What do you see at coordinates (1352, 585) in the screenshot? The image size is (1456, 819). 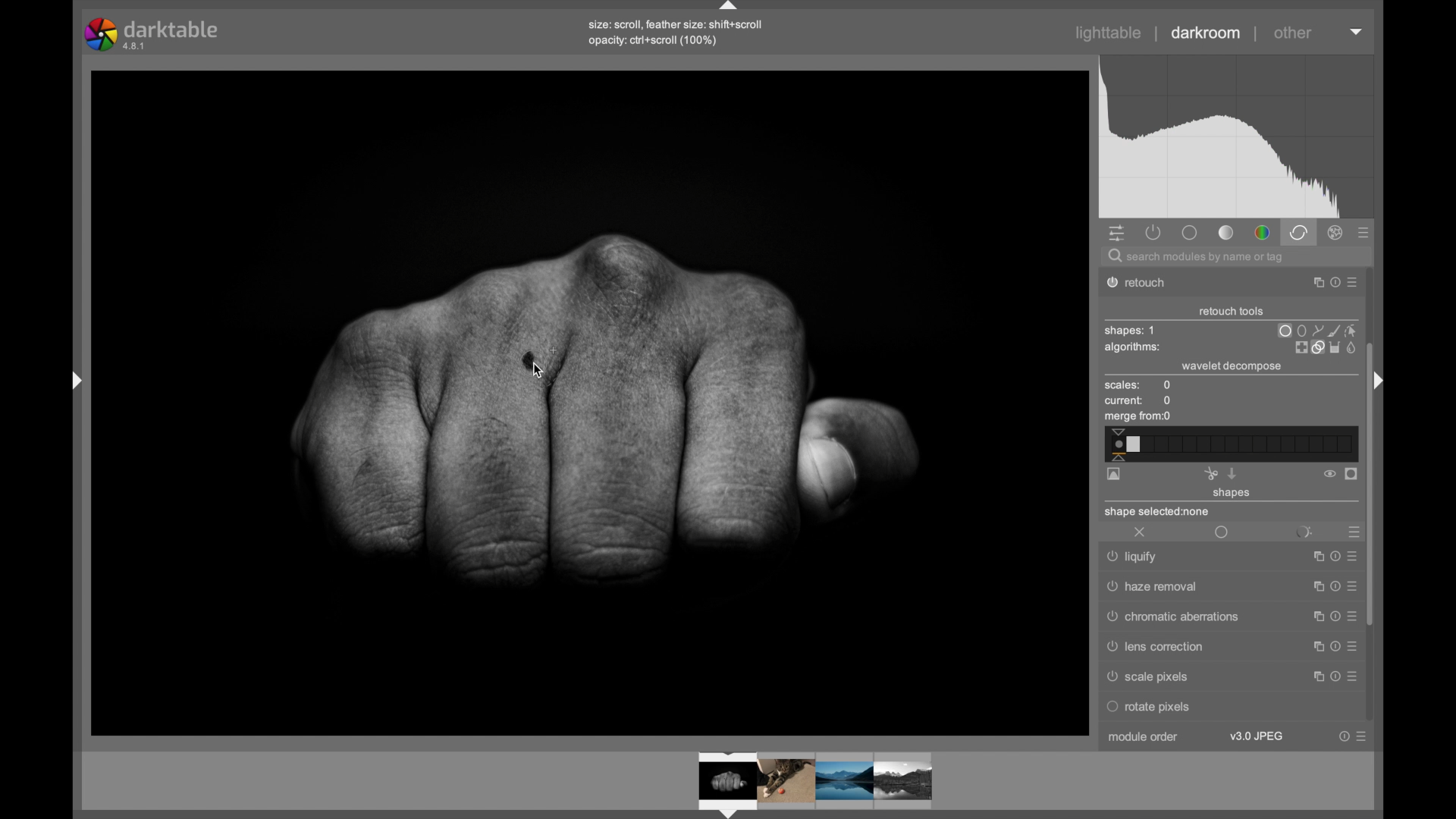 I see `more options` at bounding box center [1352, 585].